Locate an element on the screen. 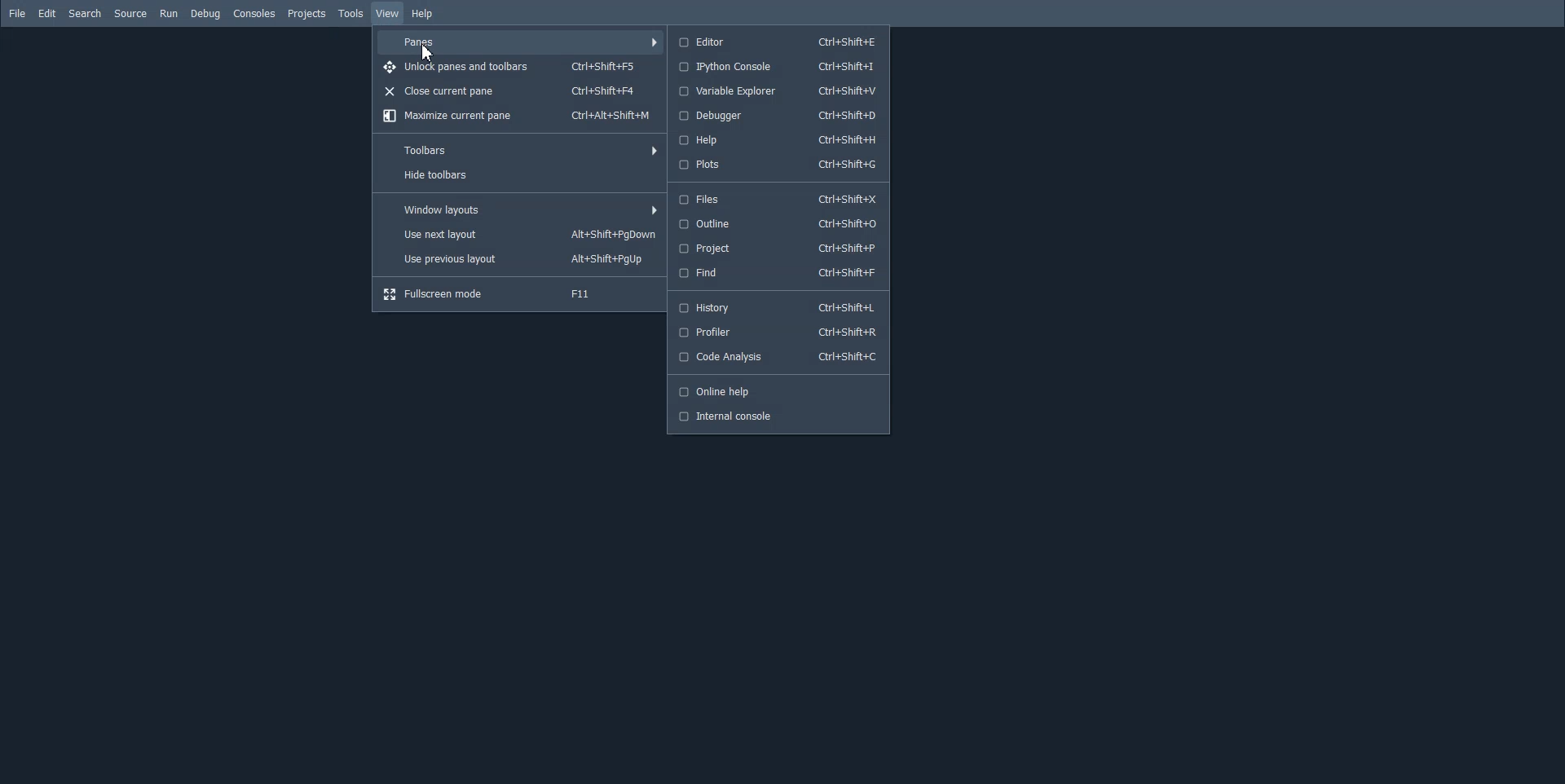 This screenshot has height=784, width=1565. Run is located at coordinates (170, 14).